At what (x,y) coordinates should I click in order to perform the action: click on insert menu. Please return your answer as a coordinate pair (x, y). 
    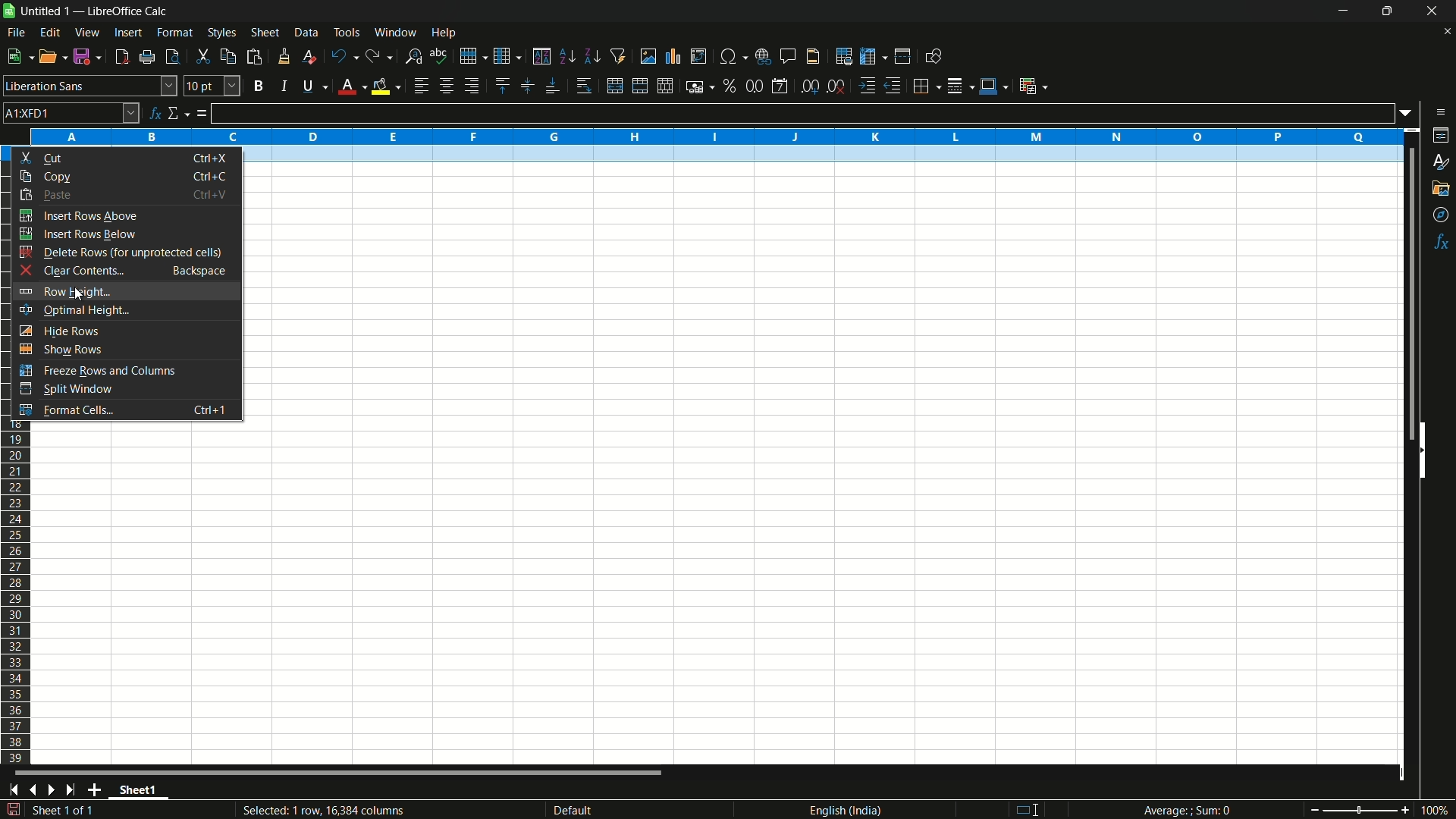
    Looking at the image, I should click on (127, 33).